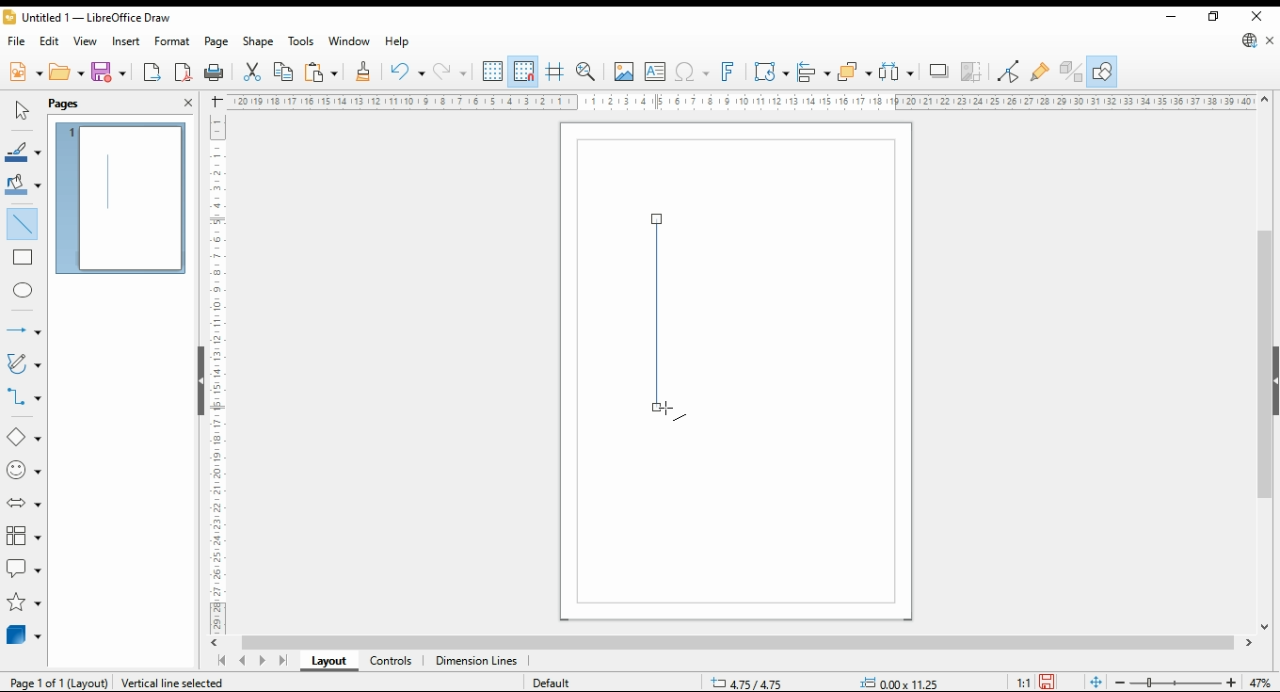  Describe the element at coordinates (771, 72) in the screenshot. I see `transformations` at that location.